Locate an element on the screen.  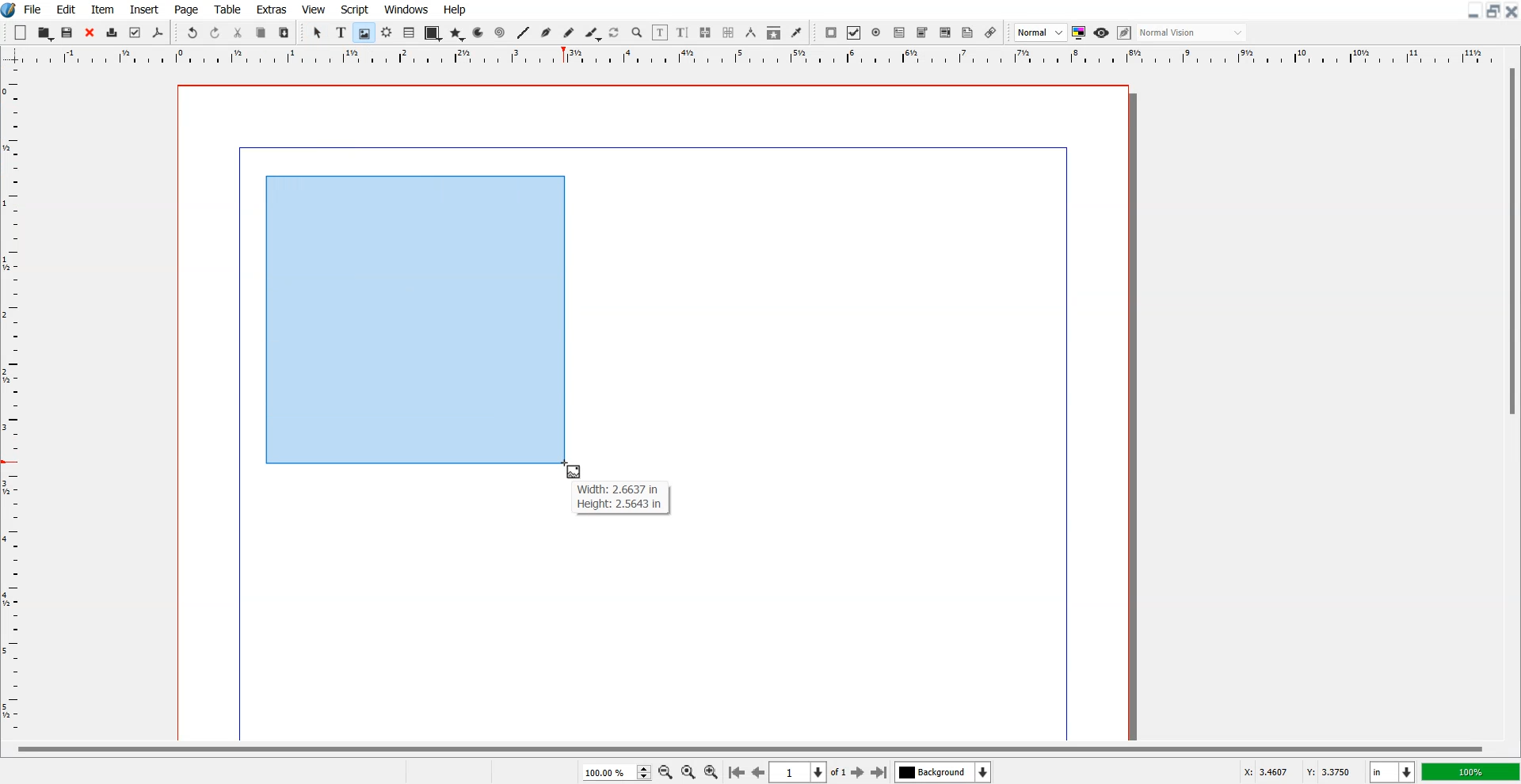
Measurements  is located at coordinates (750, 32).